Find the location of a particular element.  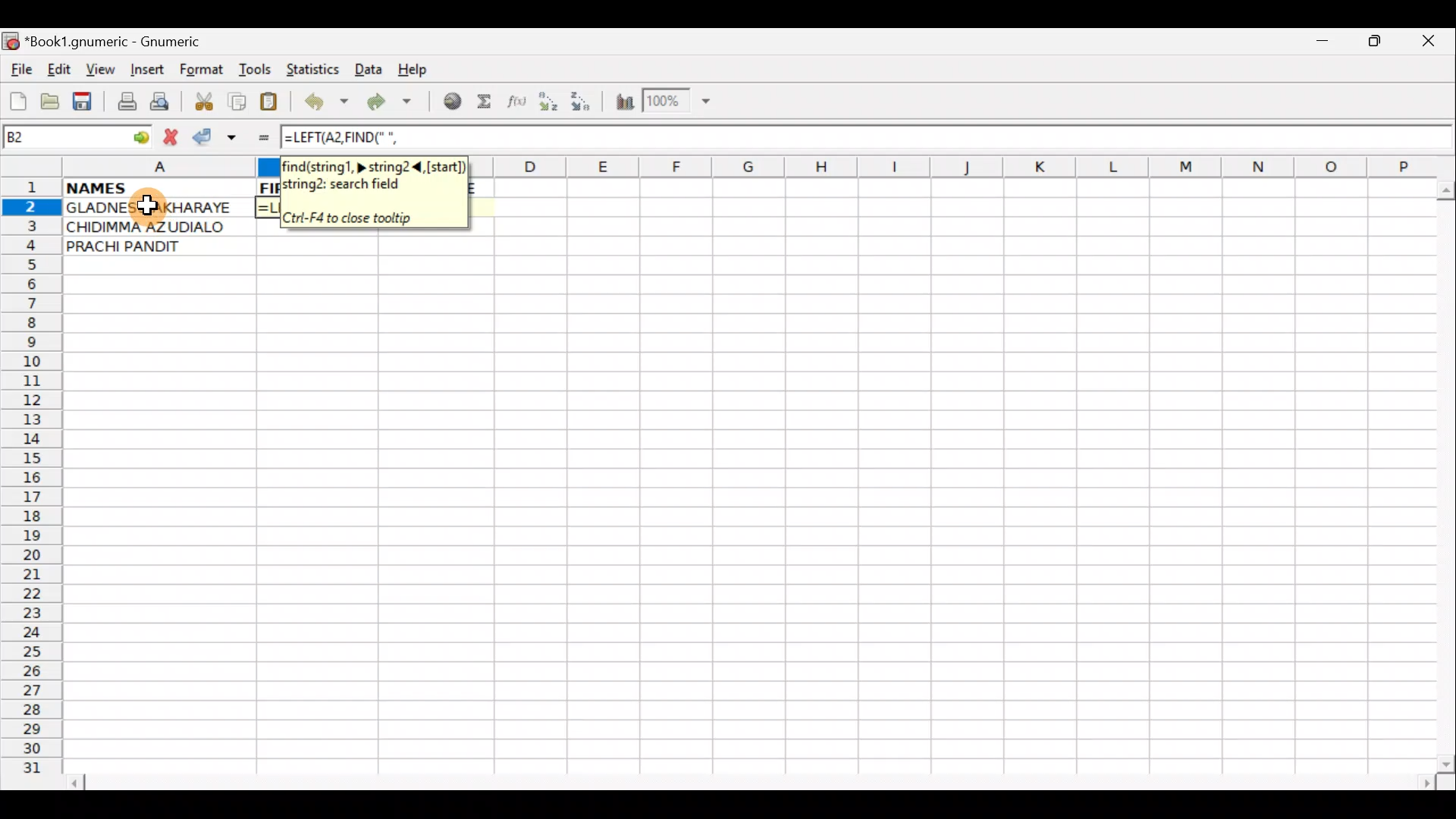

Print file is located at coordinates (123, 103).